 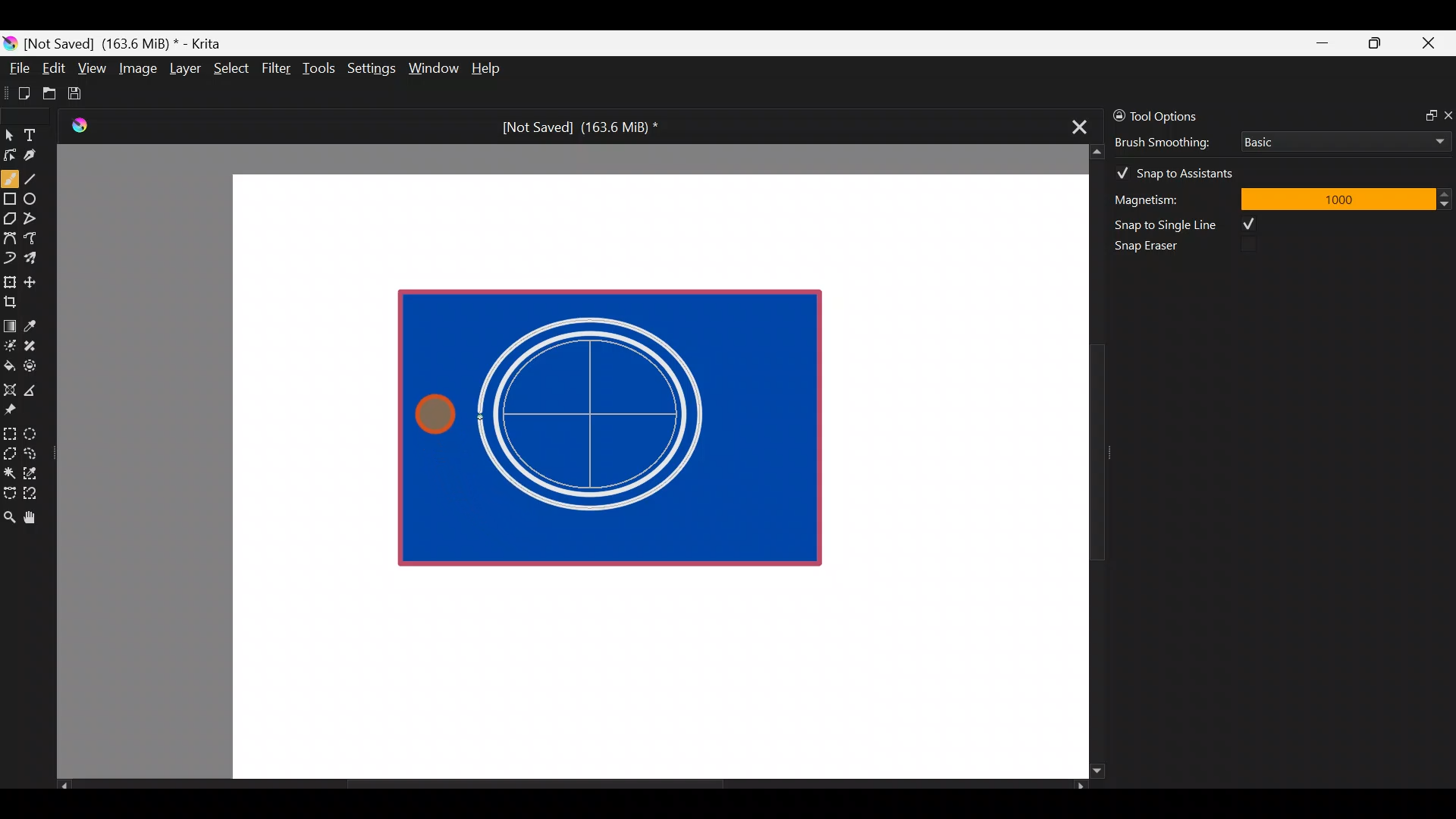 What do you see at coordinates (1116, 113) in the screenshot?
I see `Lock/unlock docker` at bounding box center [1116, 113].